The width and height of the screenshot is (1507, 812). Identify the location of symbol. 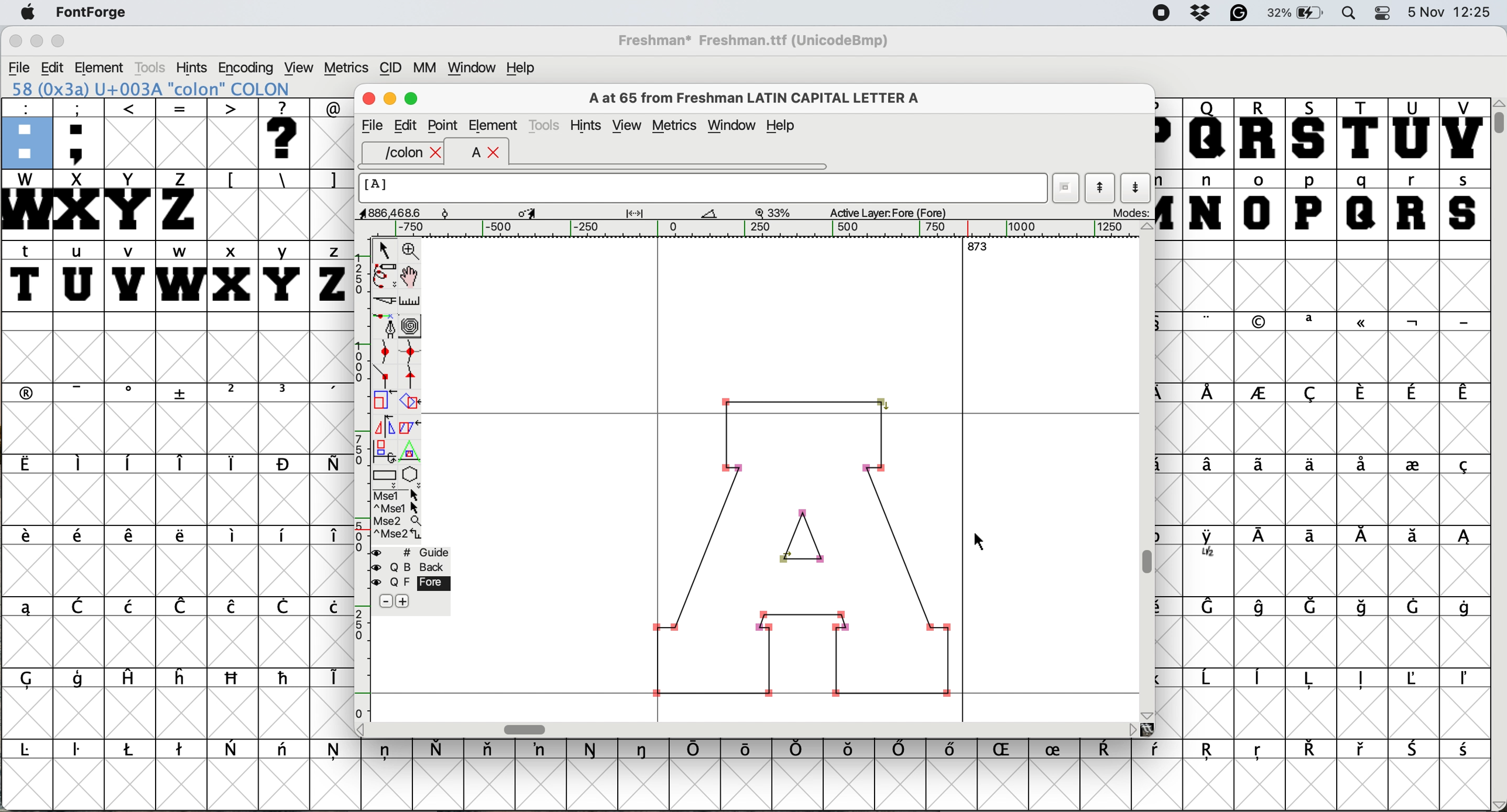
(329, 678).